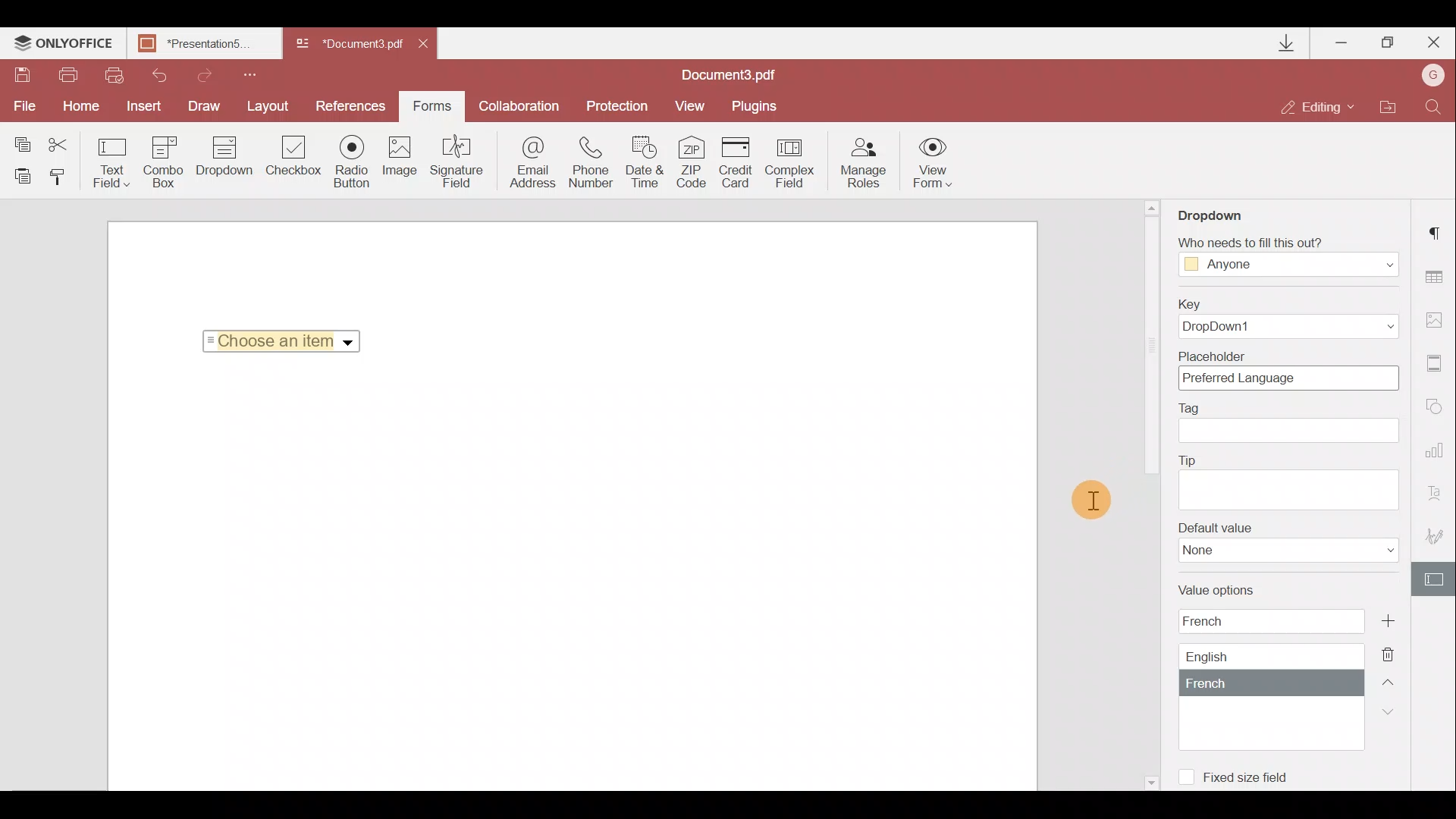 This screenshot has width=1456, height=819. What do you see at coordinates (533, 165) in the screenshot?
I see `Email address` at bounding box center [533, 165].